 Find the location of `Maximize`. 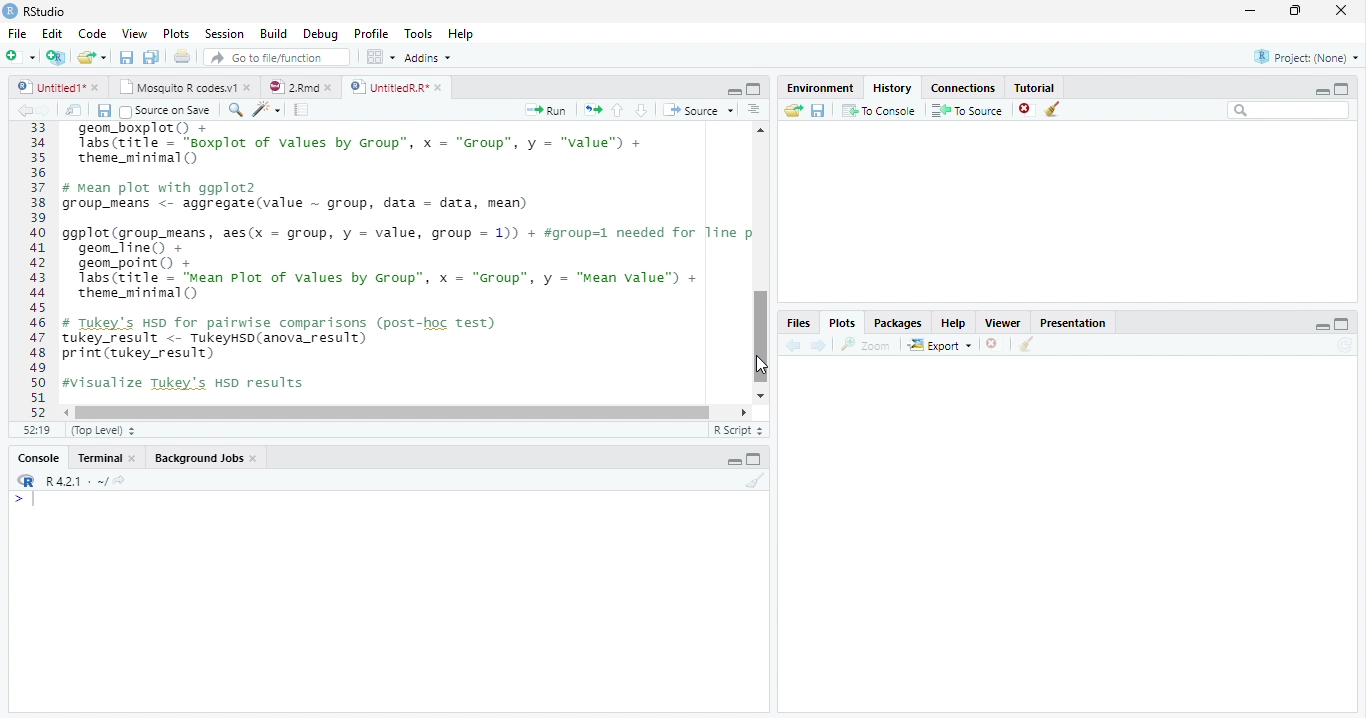

Maximize is located at coordinates (755, 461).